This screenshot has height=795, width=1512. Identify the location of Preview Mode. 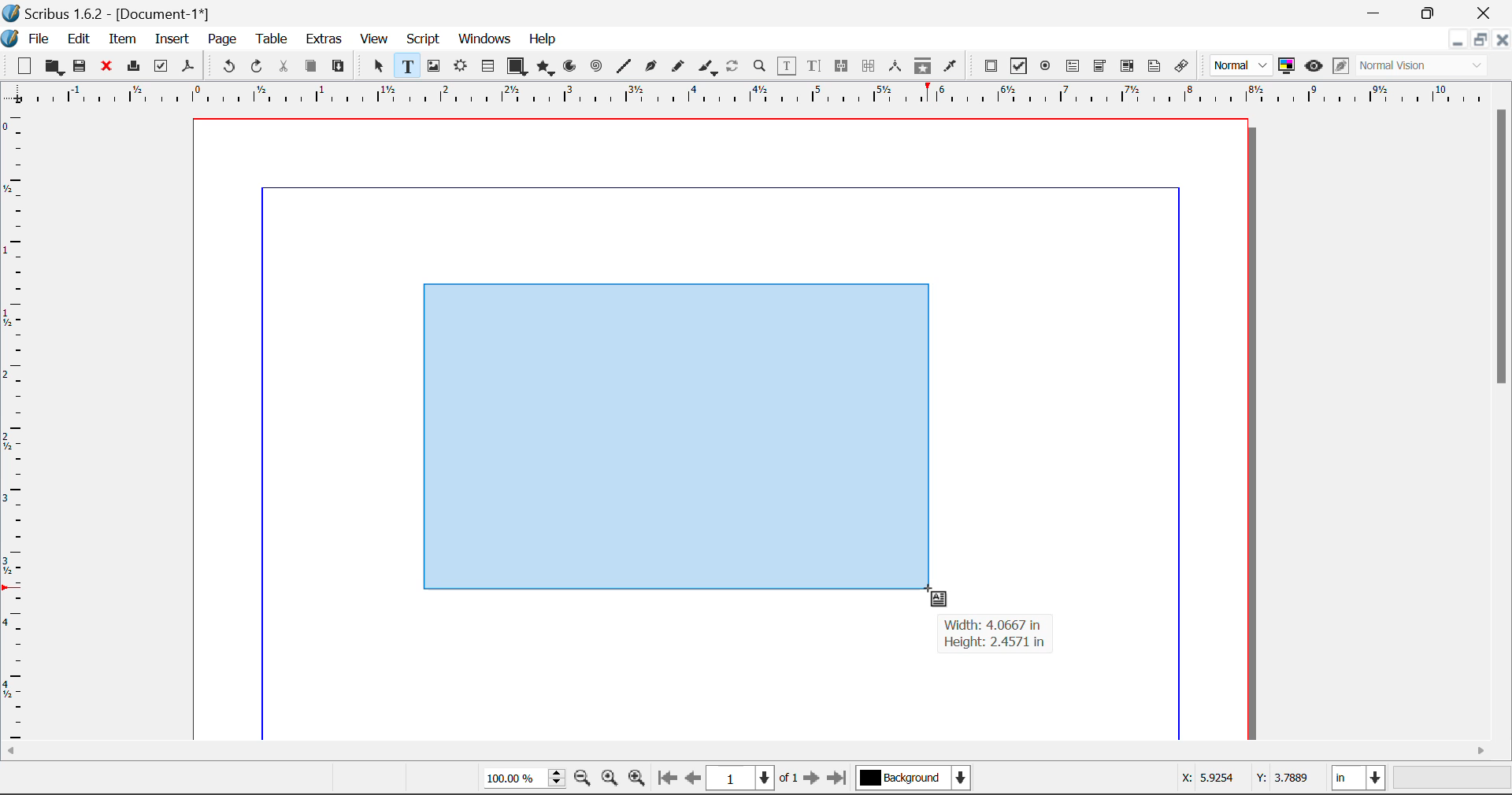
(1314, 66).